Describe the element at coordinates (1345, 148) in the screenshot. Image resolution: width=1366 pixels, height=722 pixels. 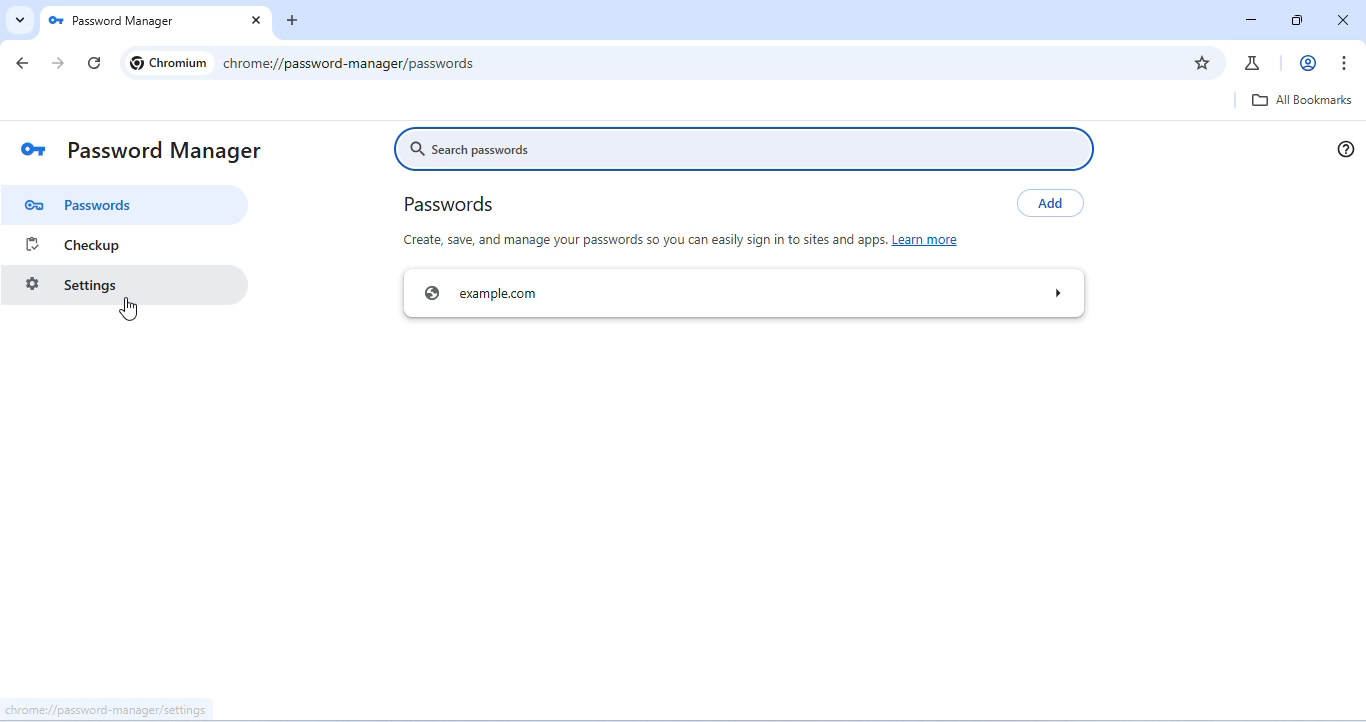
I see `help` at that location.